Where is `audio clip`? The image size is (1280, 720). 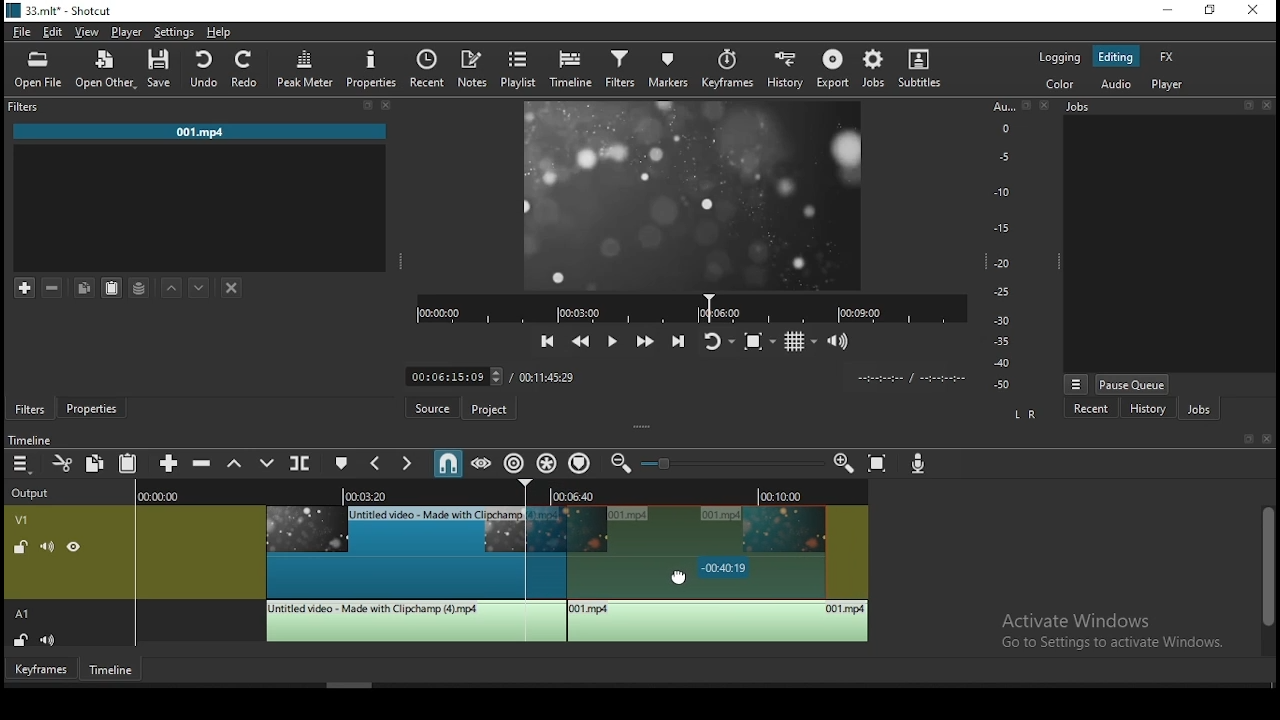 audio clip is located at coordinates (414, 621).